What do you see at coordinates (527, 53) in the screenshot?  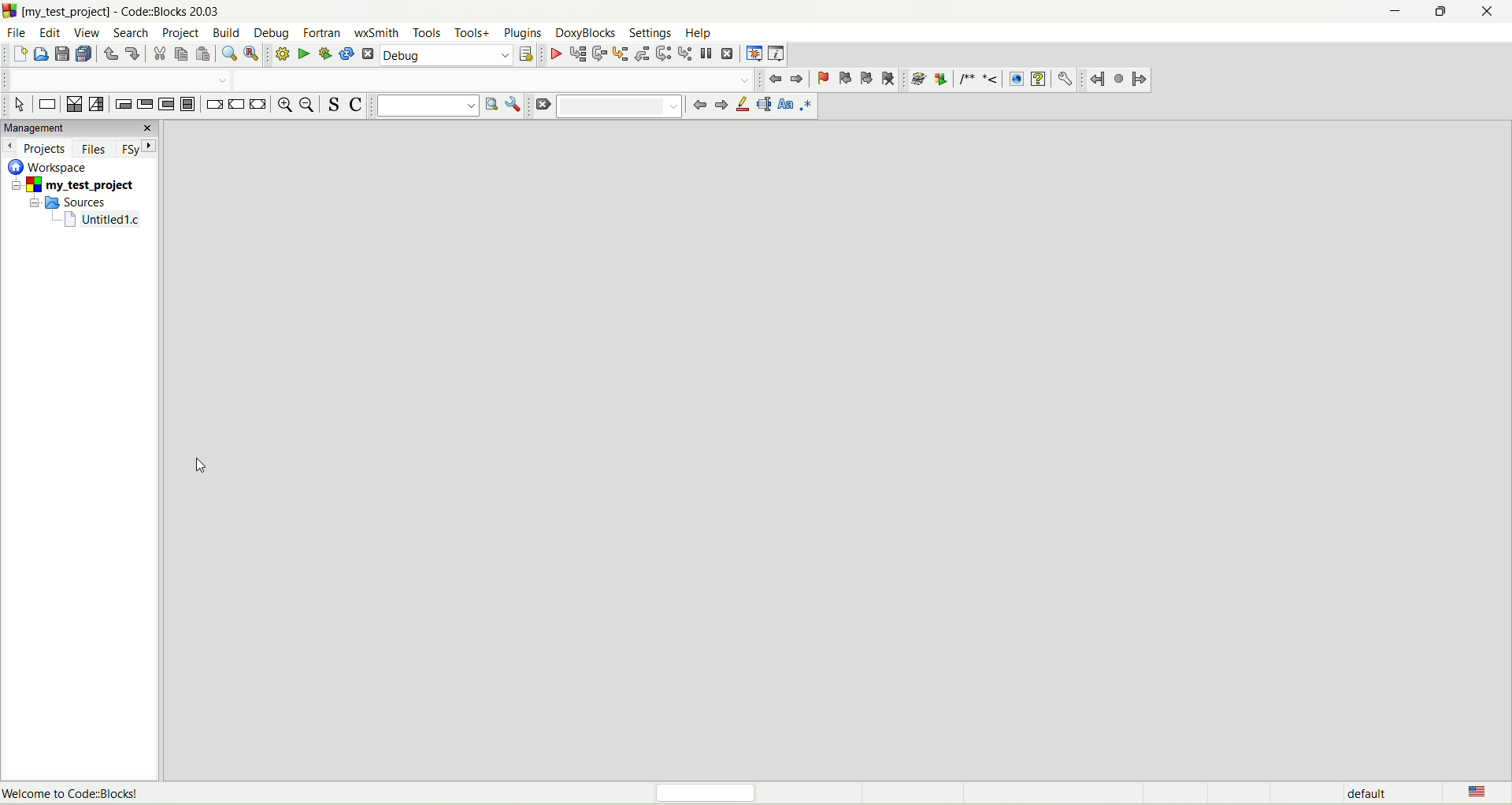 I see `select target dialog` at bounding box center [527, 53].